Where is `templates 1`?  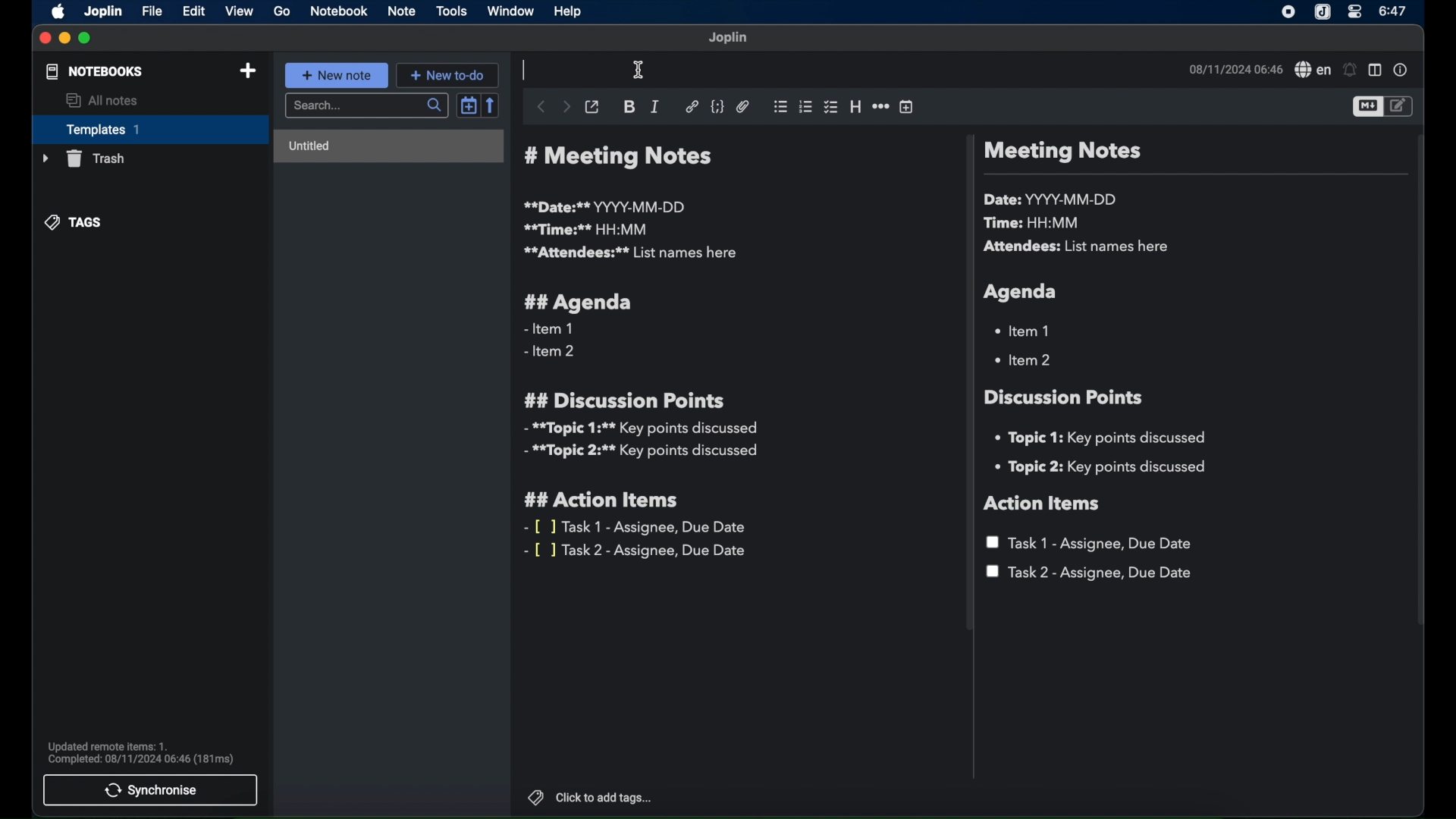 templates 1 is located at coordinates (148, 129).